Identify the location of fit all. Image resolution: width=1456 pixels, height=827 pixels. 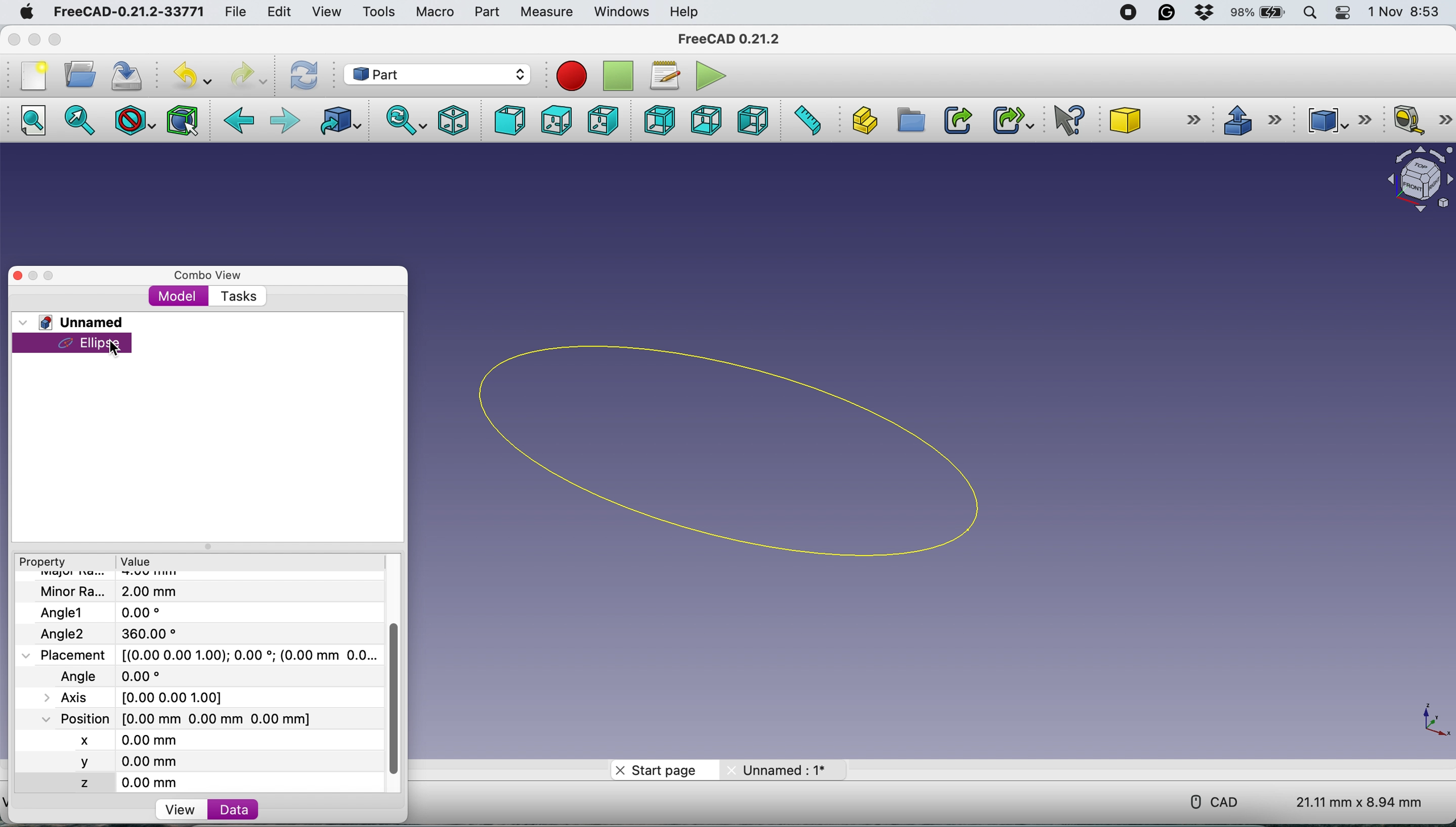
(33, 120).